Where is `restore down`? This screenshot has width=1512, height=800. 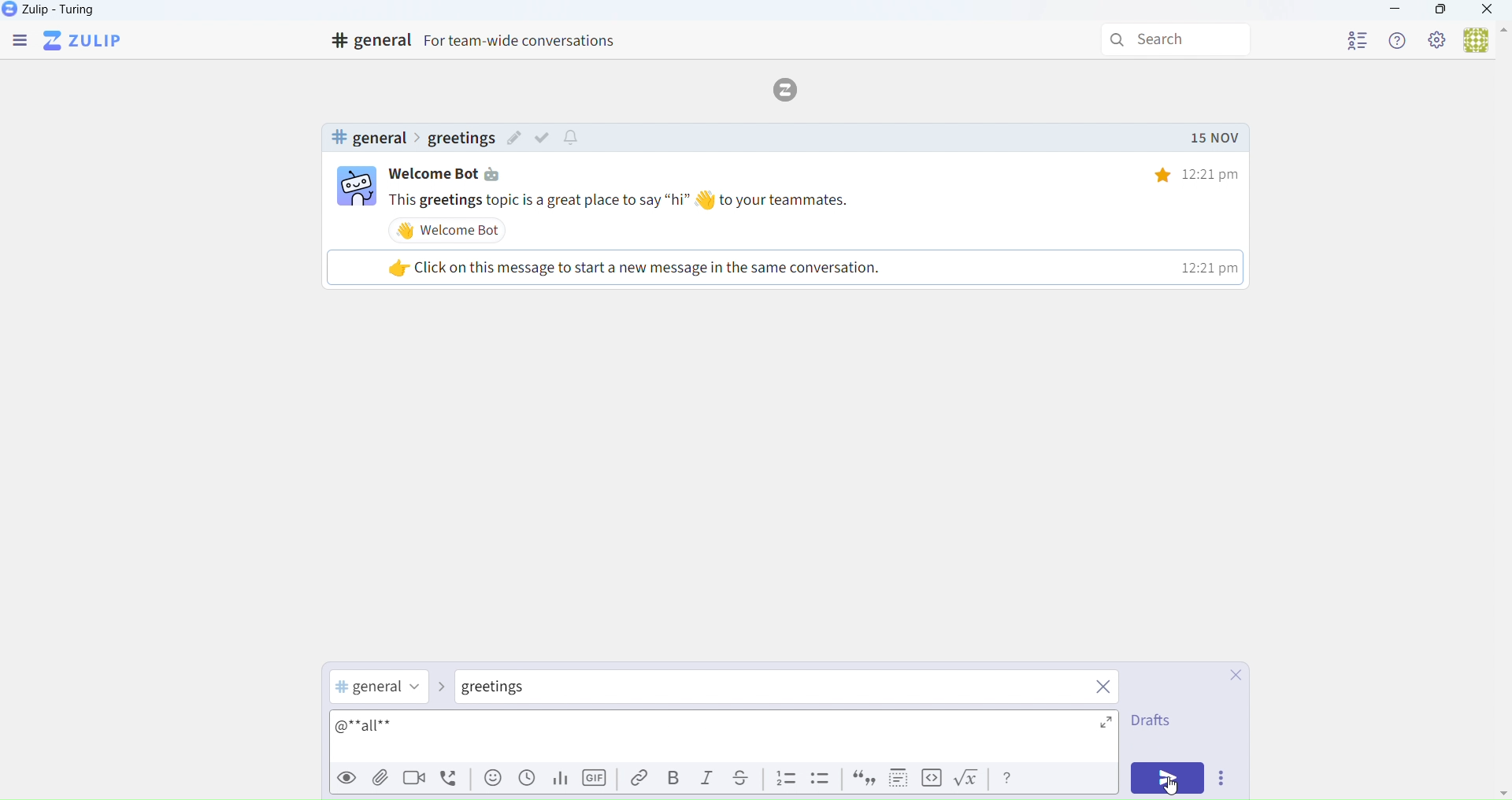
restore down is located at coordinates (1439, 12).